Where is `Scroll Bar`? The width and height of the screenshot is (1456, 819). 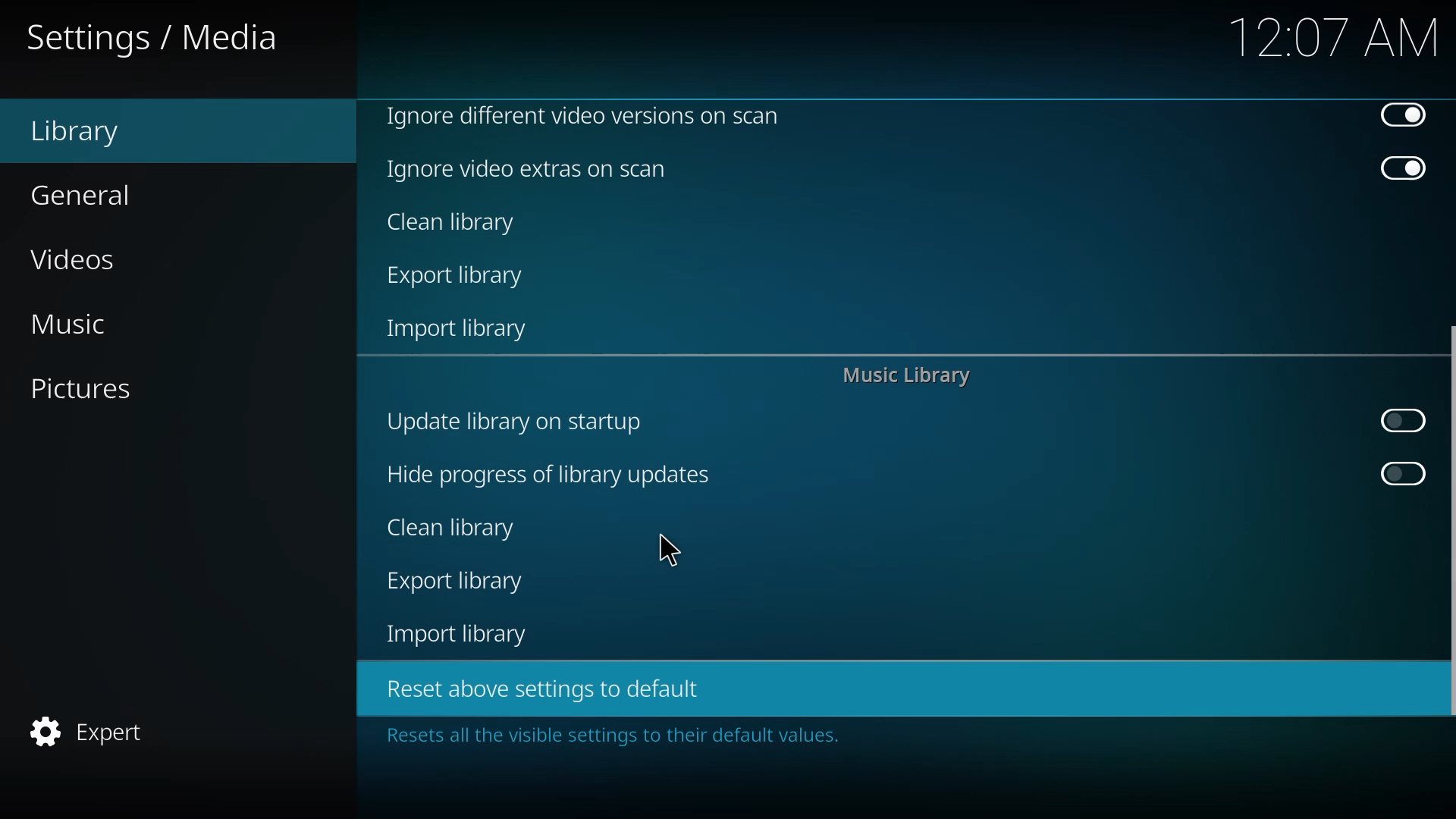 Scroll Bar is located at coordinates (1461, 522).